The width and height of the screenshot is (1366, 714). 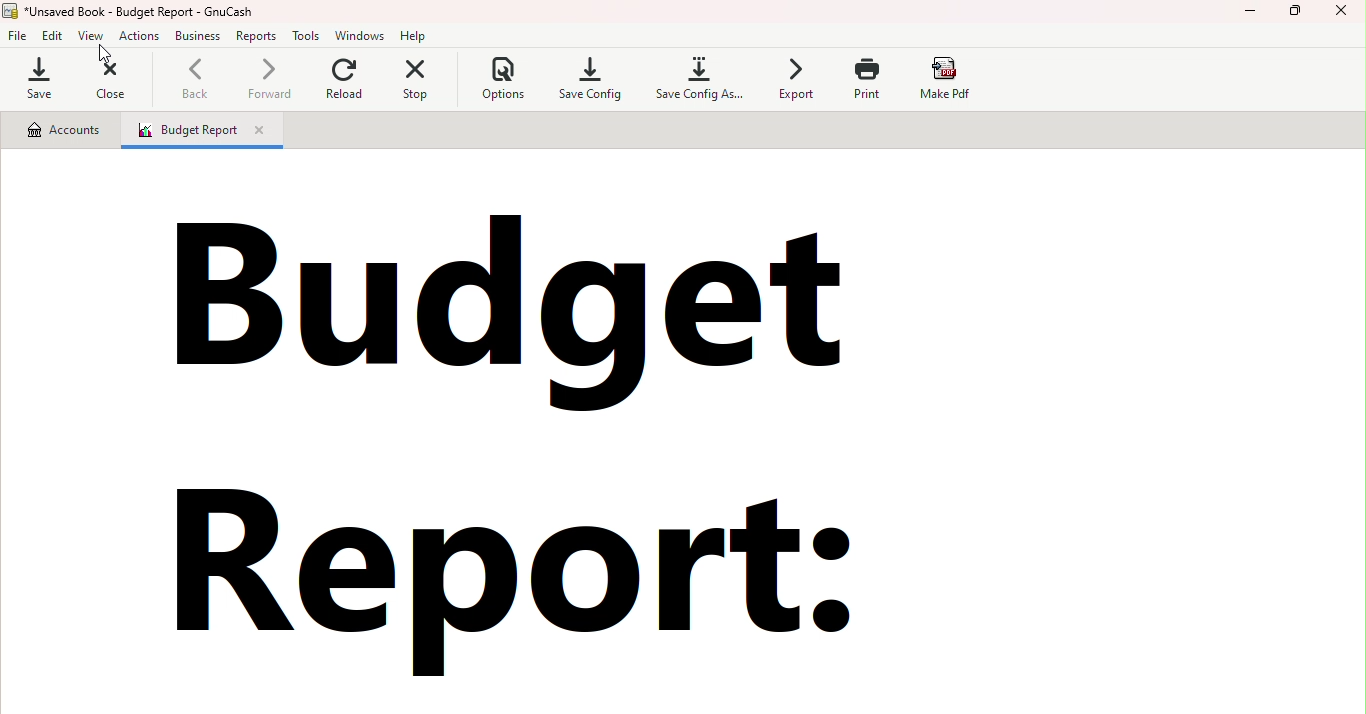 I want to click on Stop, so click(x=416, y=80).